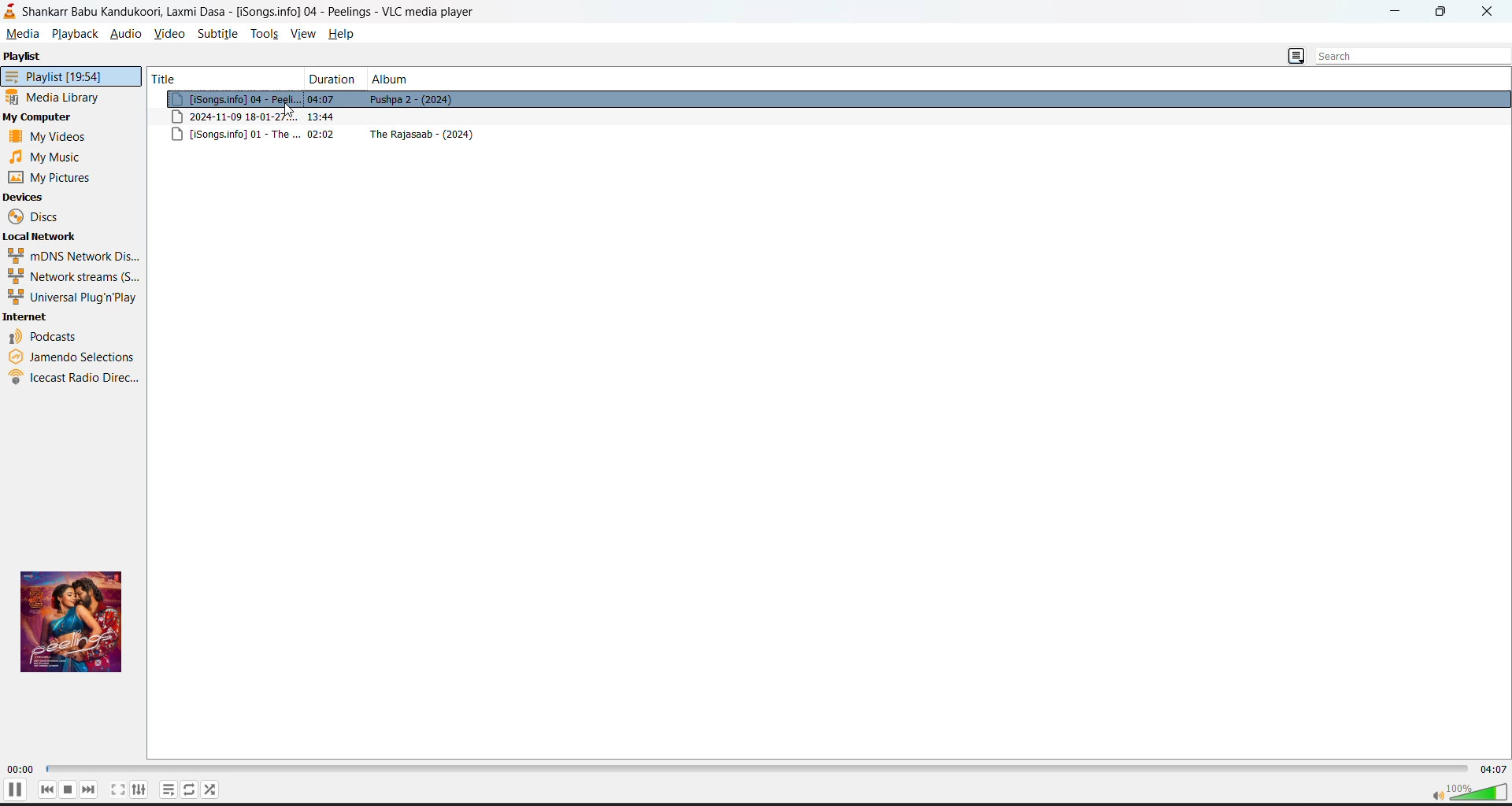 Image resolution: width=1512 pixels, height=806 pixels. What do you see at coordinates (331, 78) in the screenshot?
I see `duration` at bounding box center [331, 78].